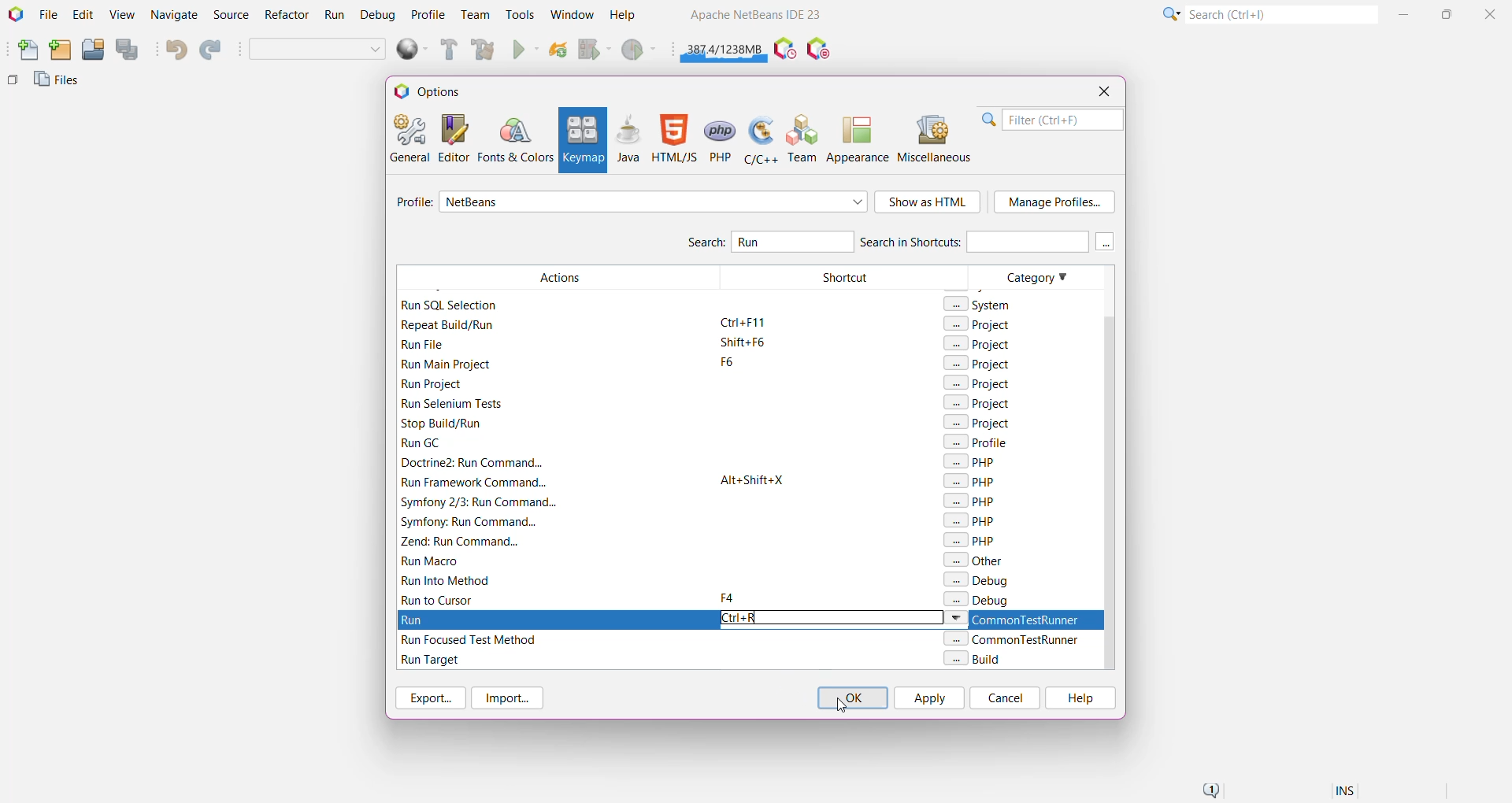 The width and height of the screenshot is (1512, 803). Describe the element at coordinates (754, 17) in the screenshot. I see `Application name and Version` at that location.